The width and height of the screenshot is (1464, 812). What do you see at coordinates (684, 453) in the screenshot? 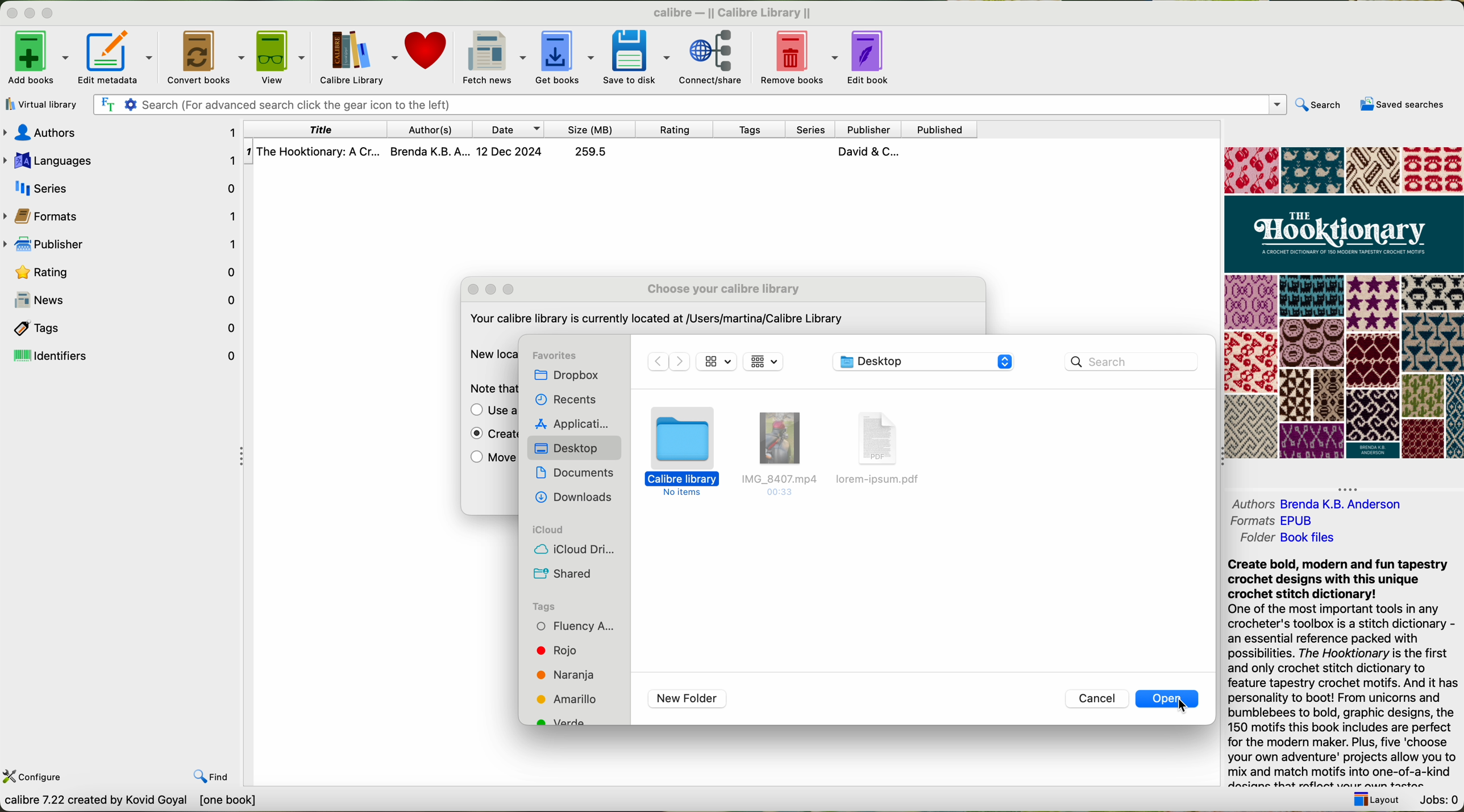
I see `folder selected` at bounding box center [684, 453].